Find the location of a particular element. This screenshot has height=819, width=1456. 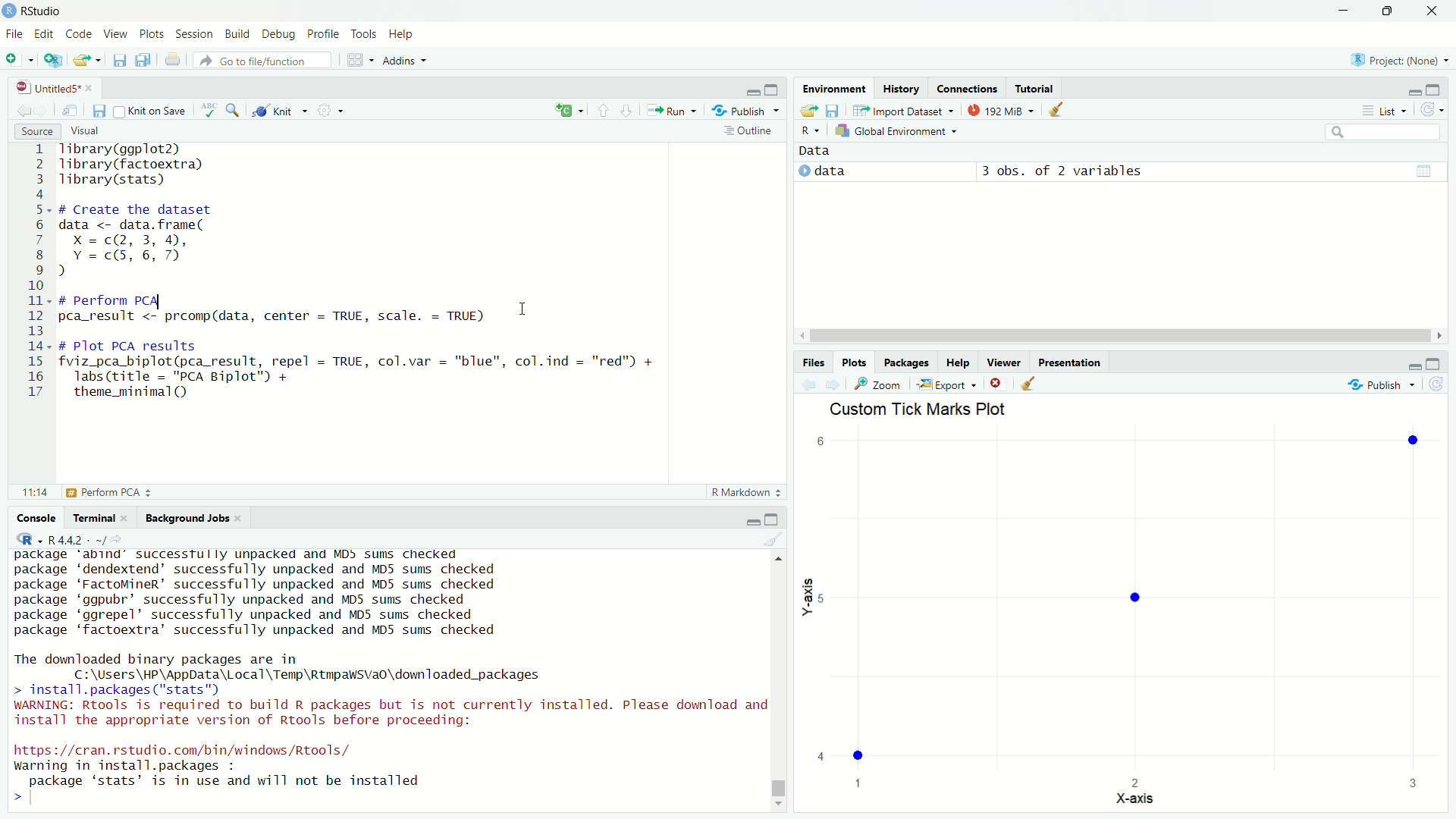

Code is located at coordinates (80, 35).